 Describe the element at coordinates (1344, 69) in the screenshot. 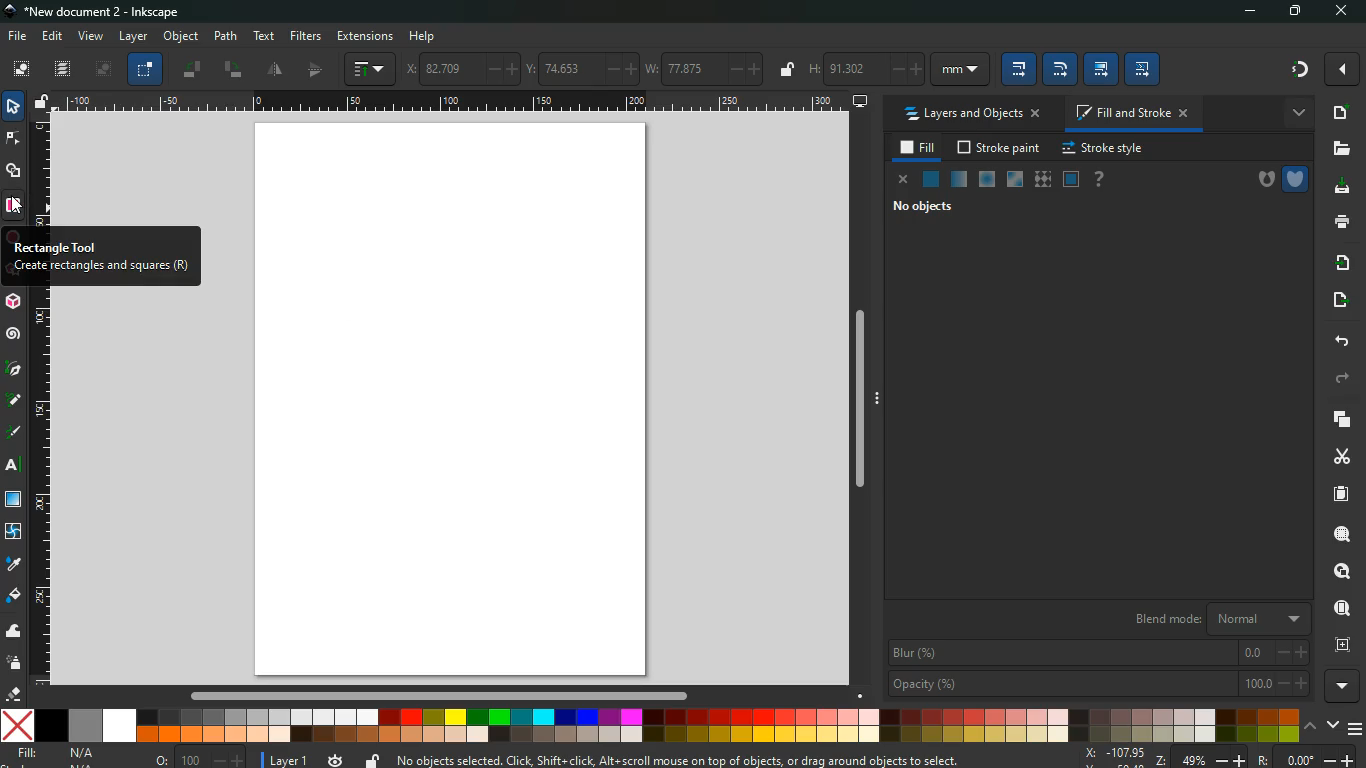

I see `more` at that location.